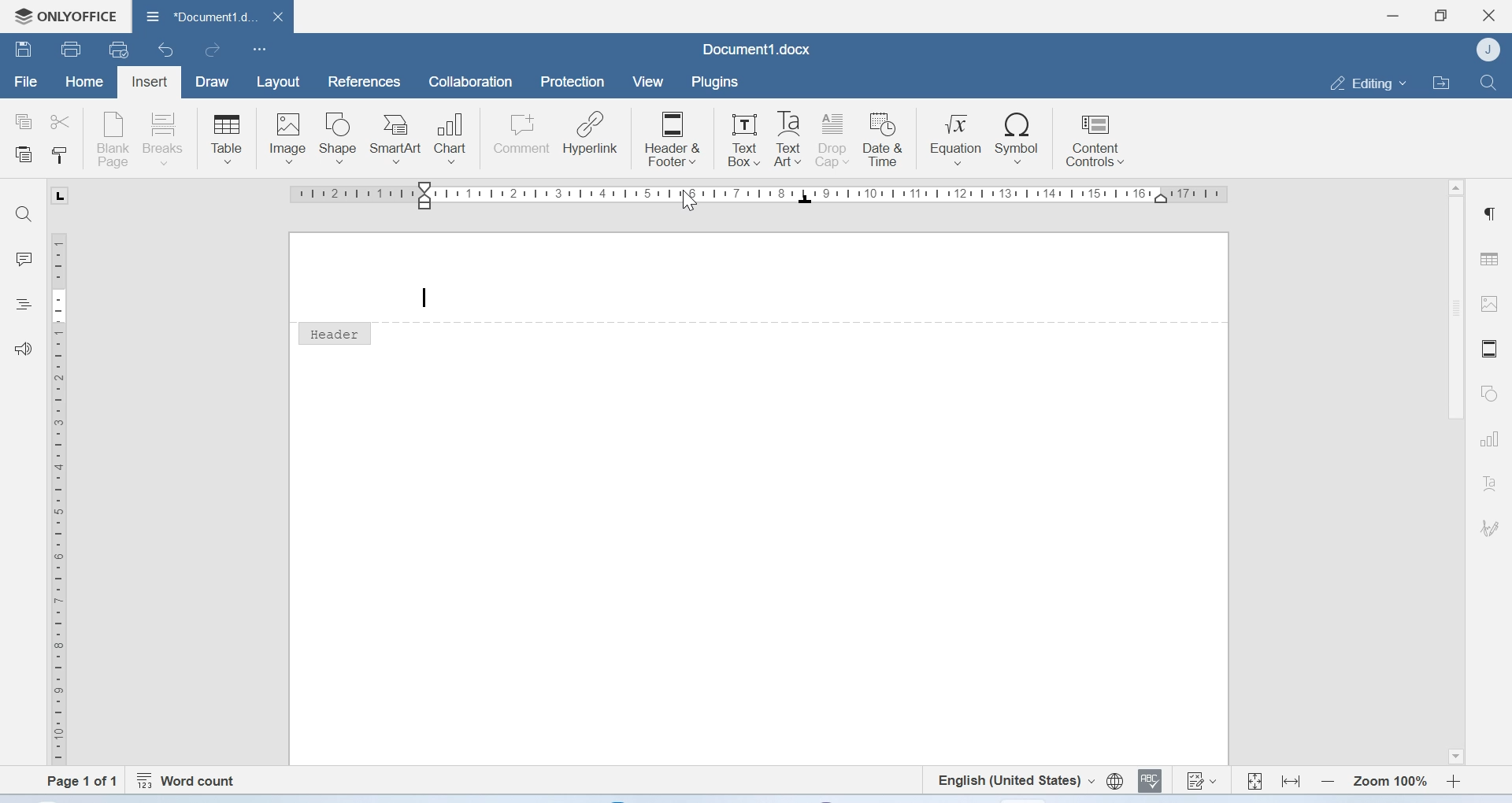  I want to click on Image, so click(1492, 306).